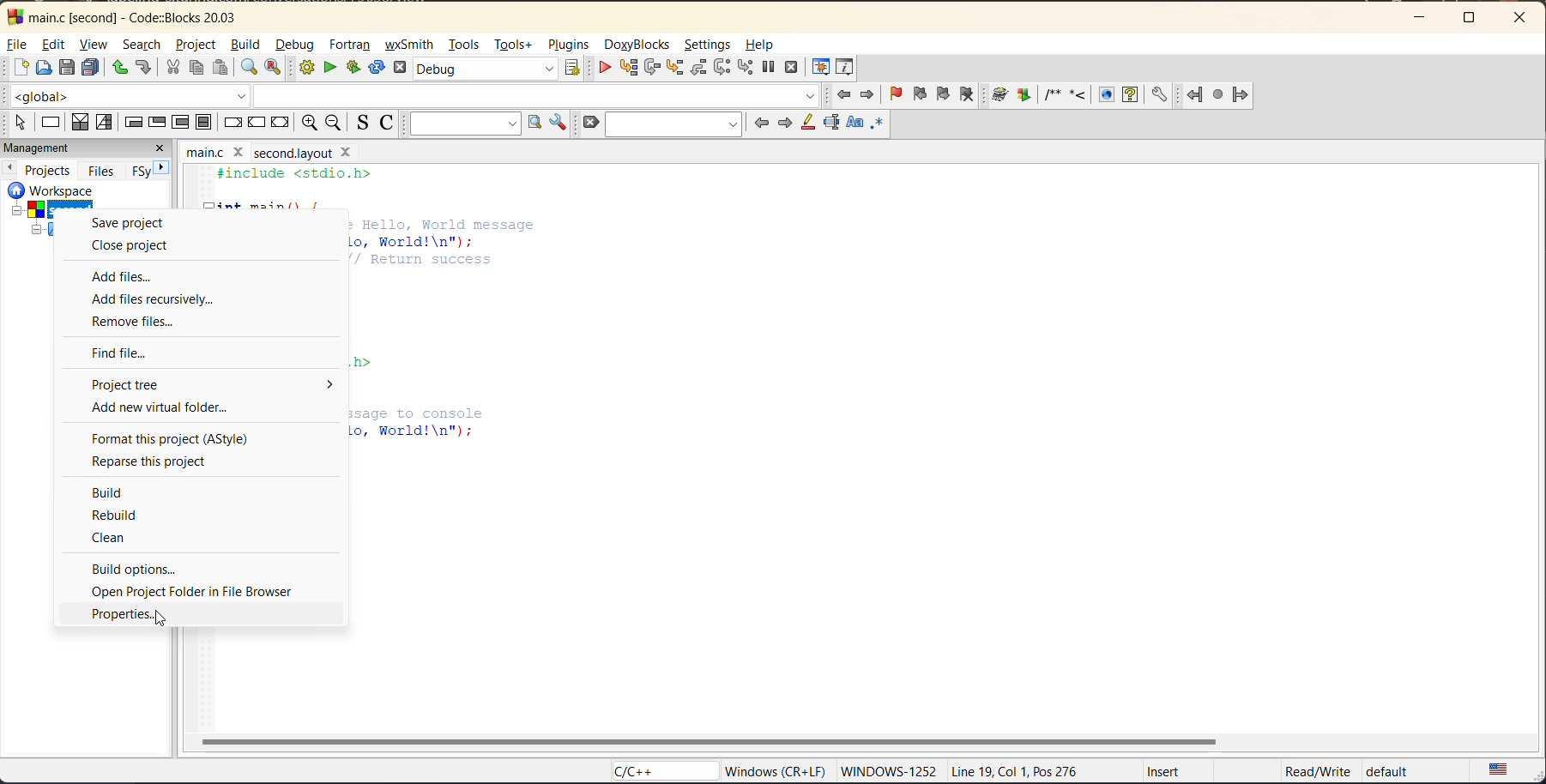  Describe the element at coordinates (202, 590) in the screenshot. I see `open project folder in file browser` at that location.